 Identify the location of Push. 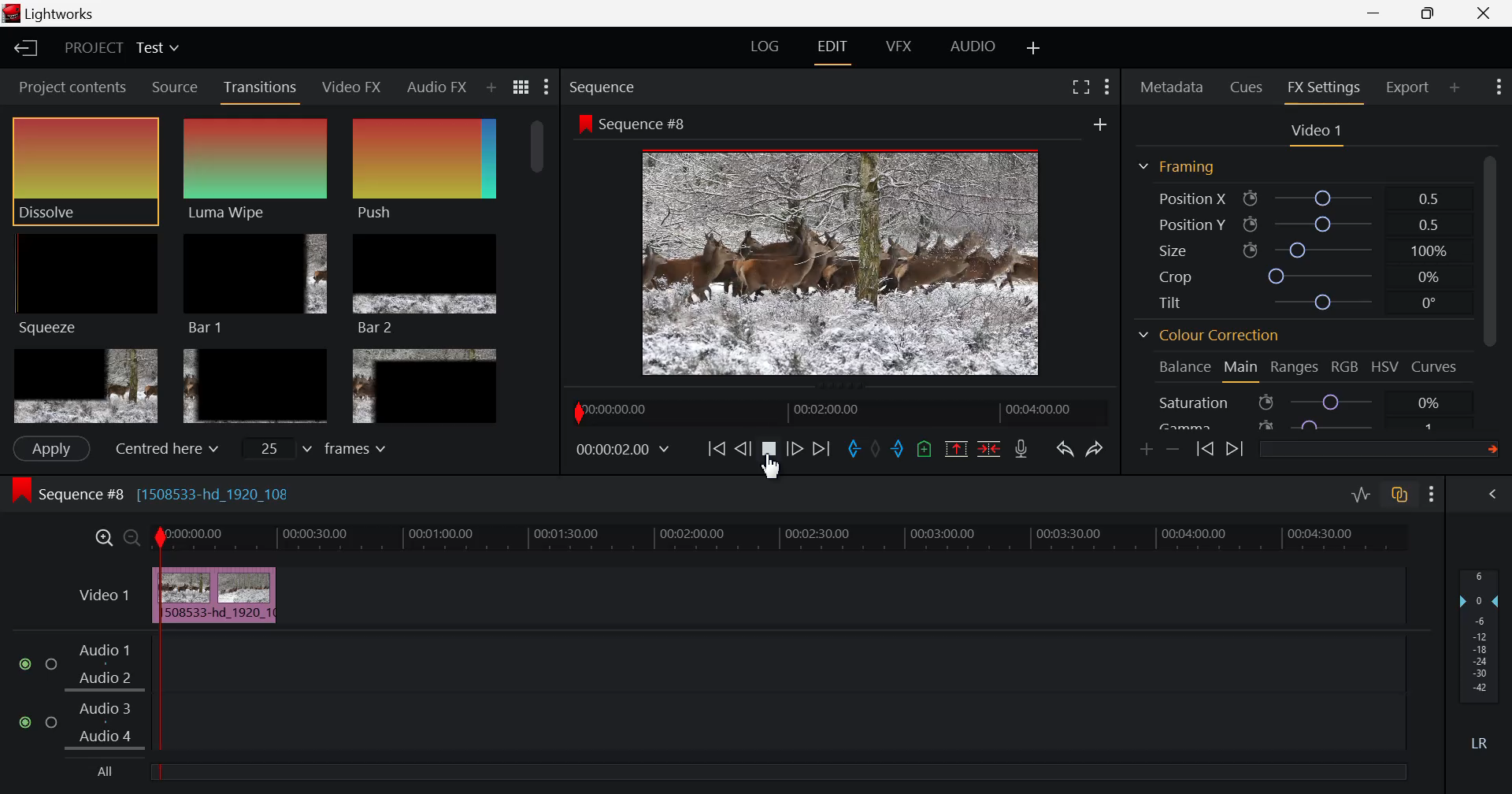
(424, 169).